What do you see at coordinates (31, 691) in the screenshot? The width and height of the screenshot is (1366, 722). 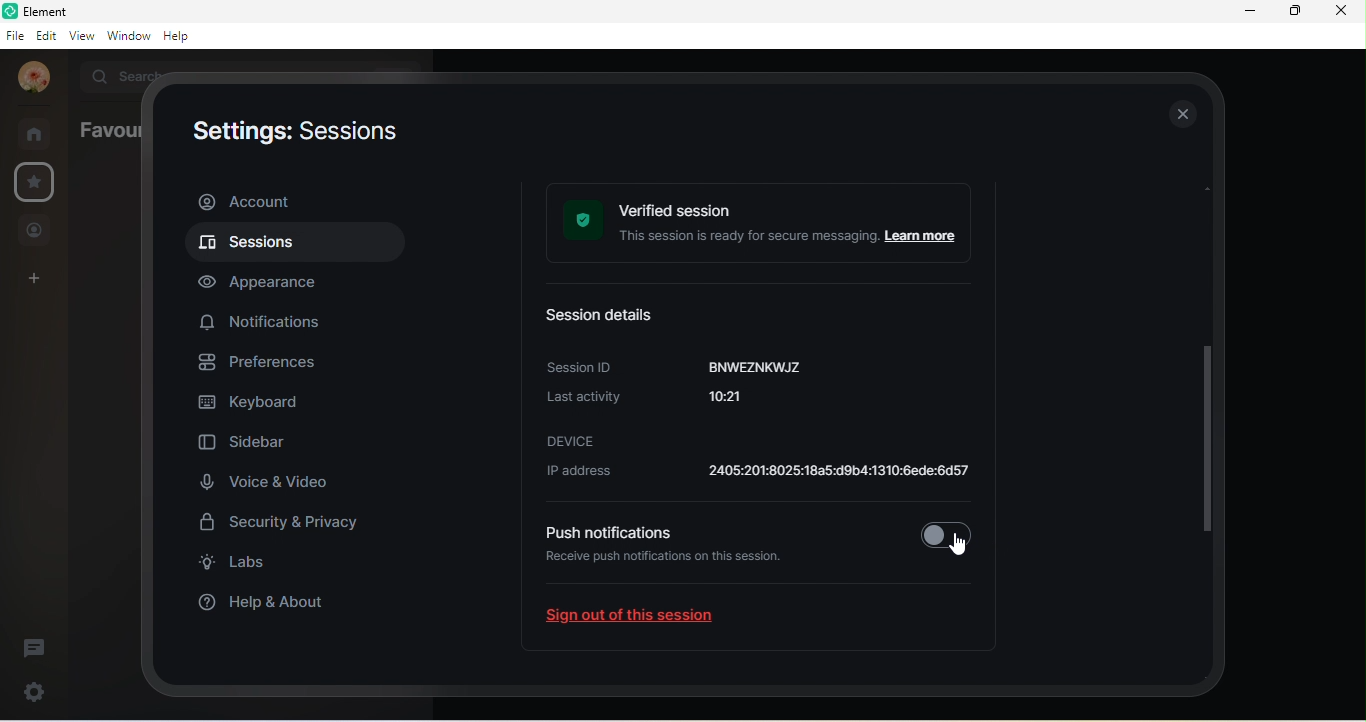 I see `settings` at bounding box center [31, 691].